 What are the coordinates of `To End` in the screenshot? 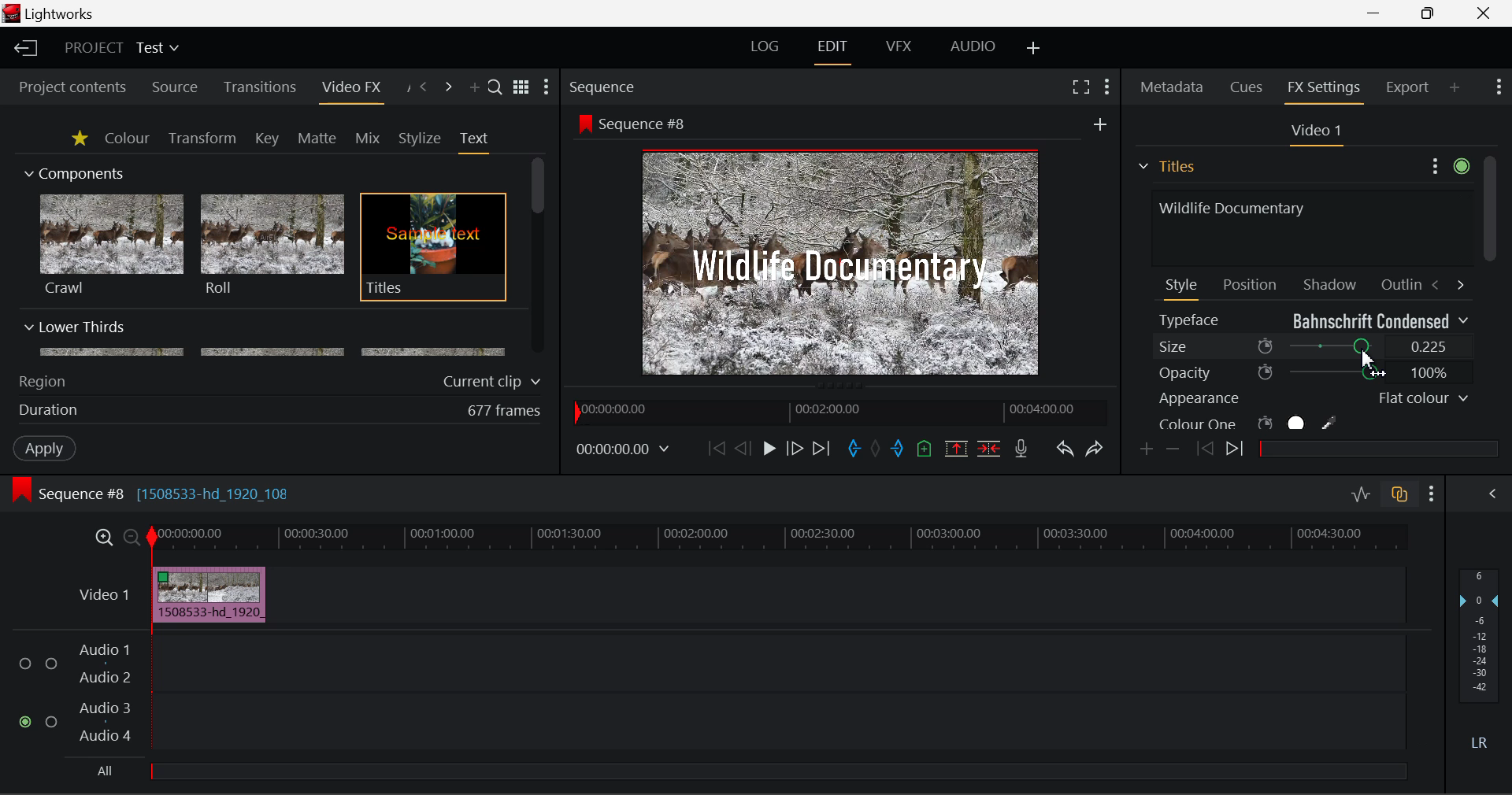 It's located at (822, 451).